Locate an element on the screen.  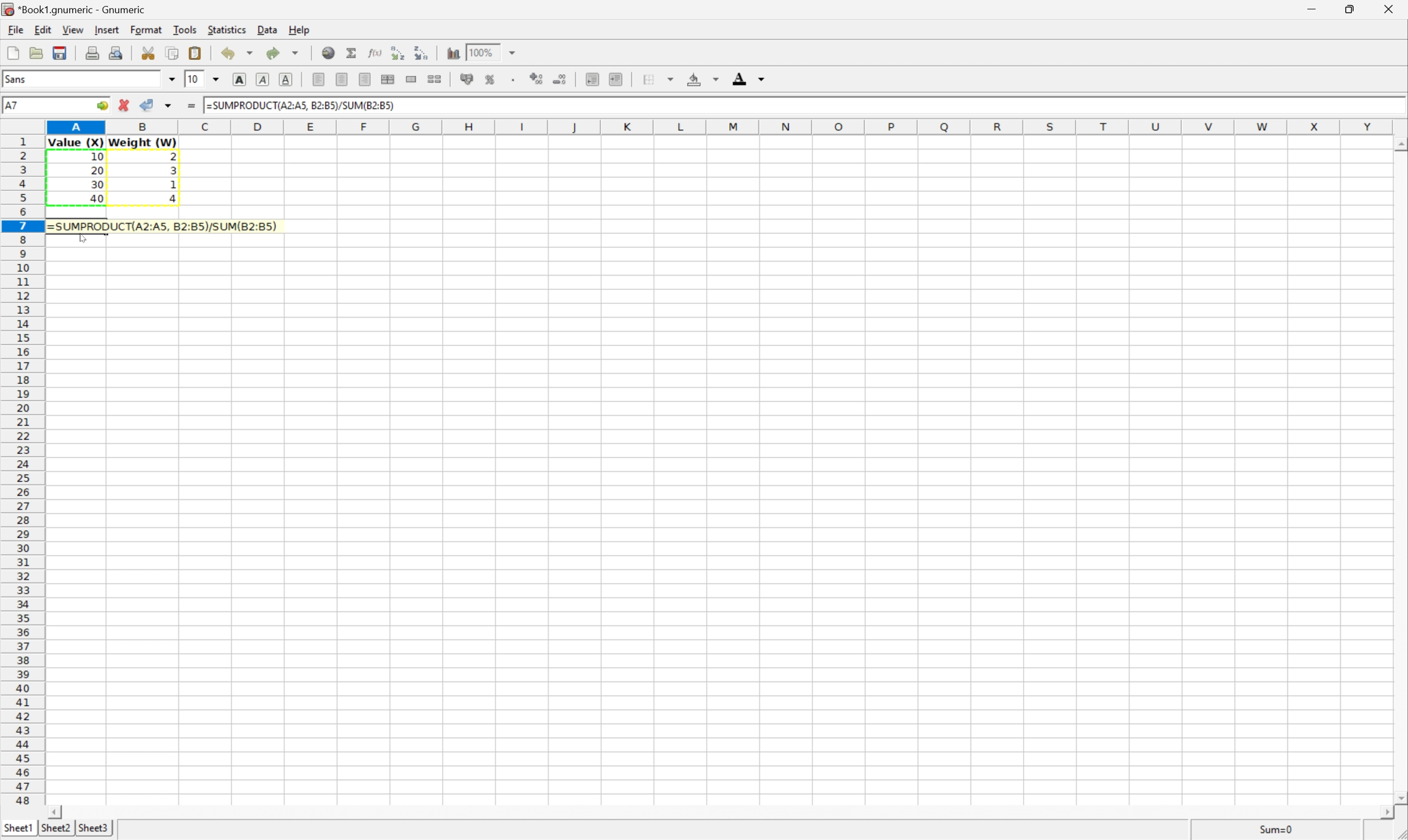
Row number is located at coordinates (21, 472).